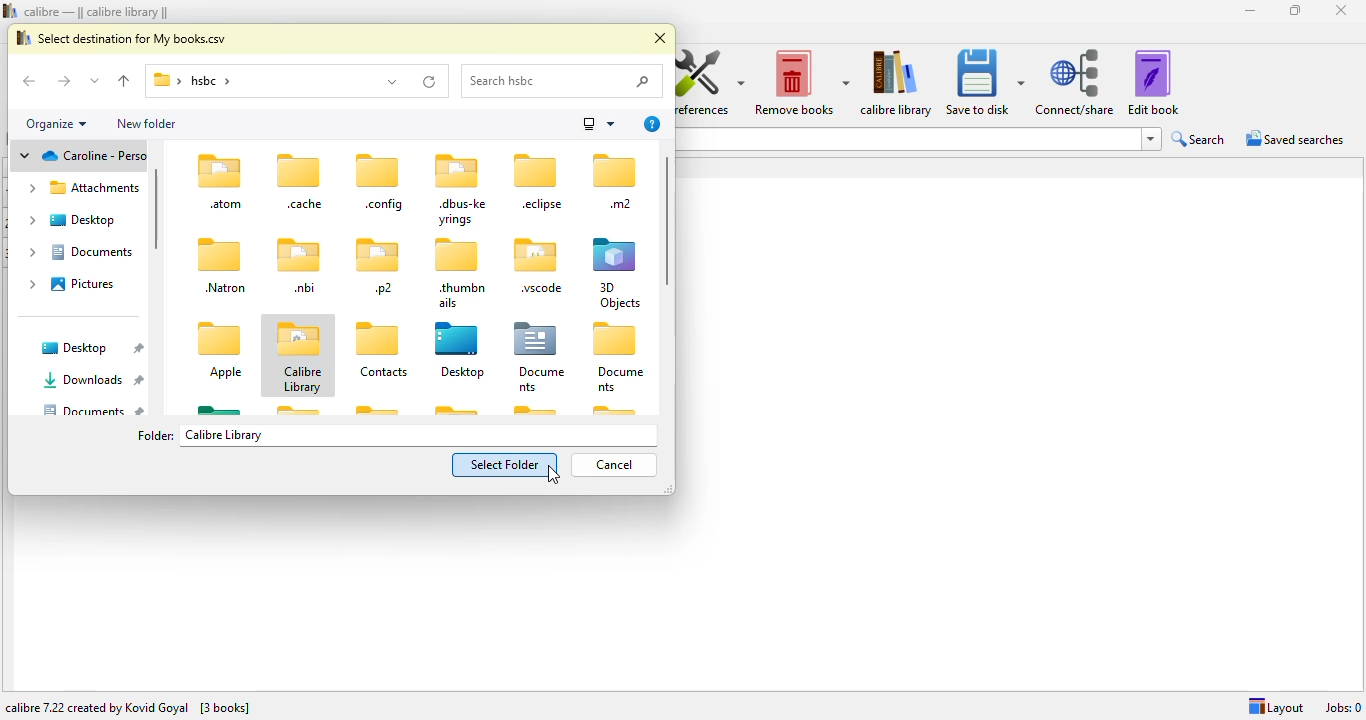 Image resolution: width=1366 pixels, height=720 pixels. What do you see at coordinates (58, 124) in the screenshot?
I see `organize` at bounding box center [58, 124].